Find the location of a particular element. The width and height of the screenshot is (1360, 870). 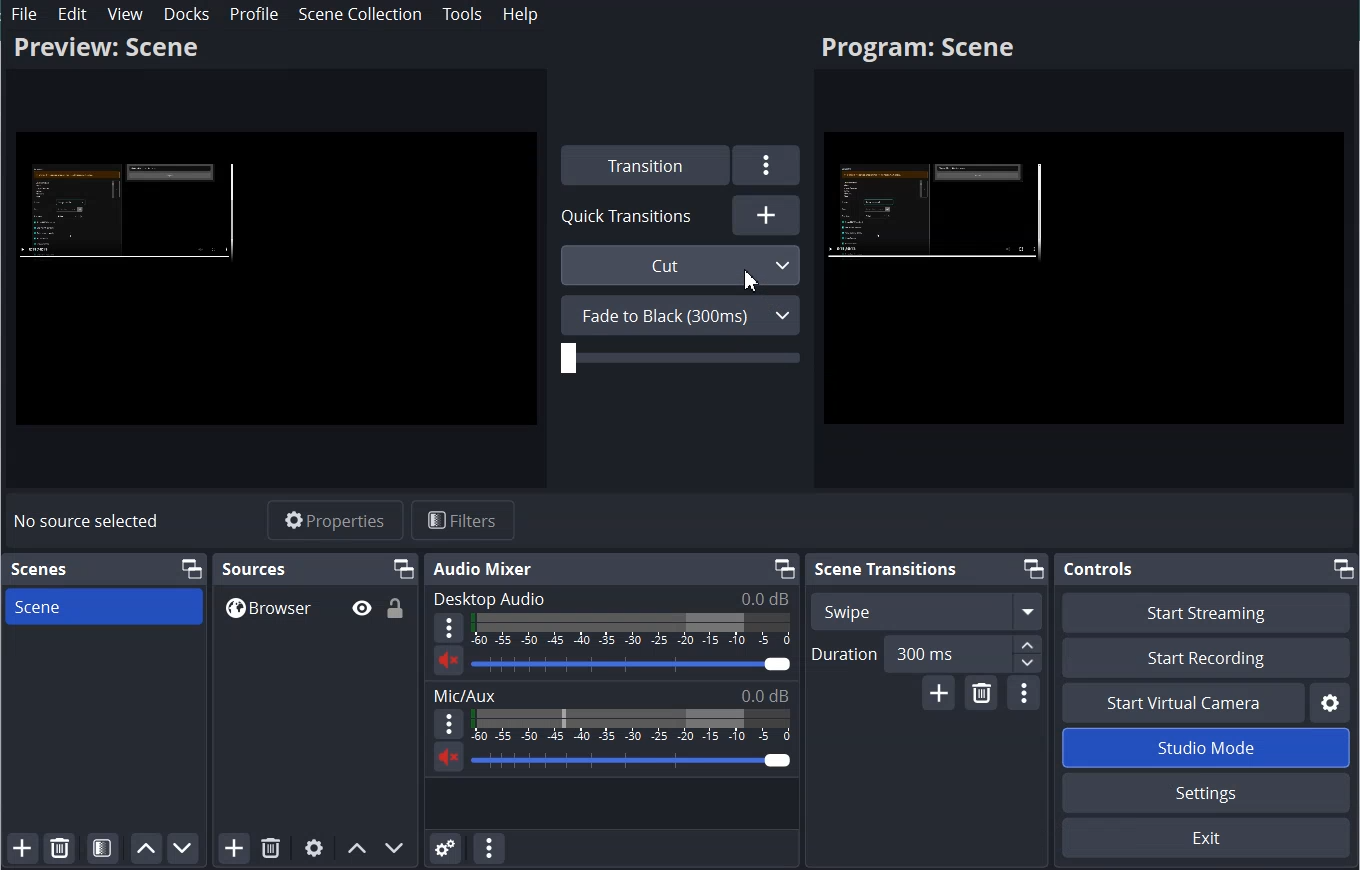

Tools is located at coordinates (462, 14).